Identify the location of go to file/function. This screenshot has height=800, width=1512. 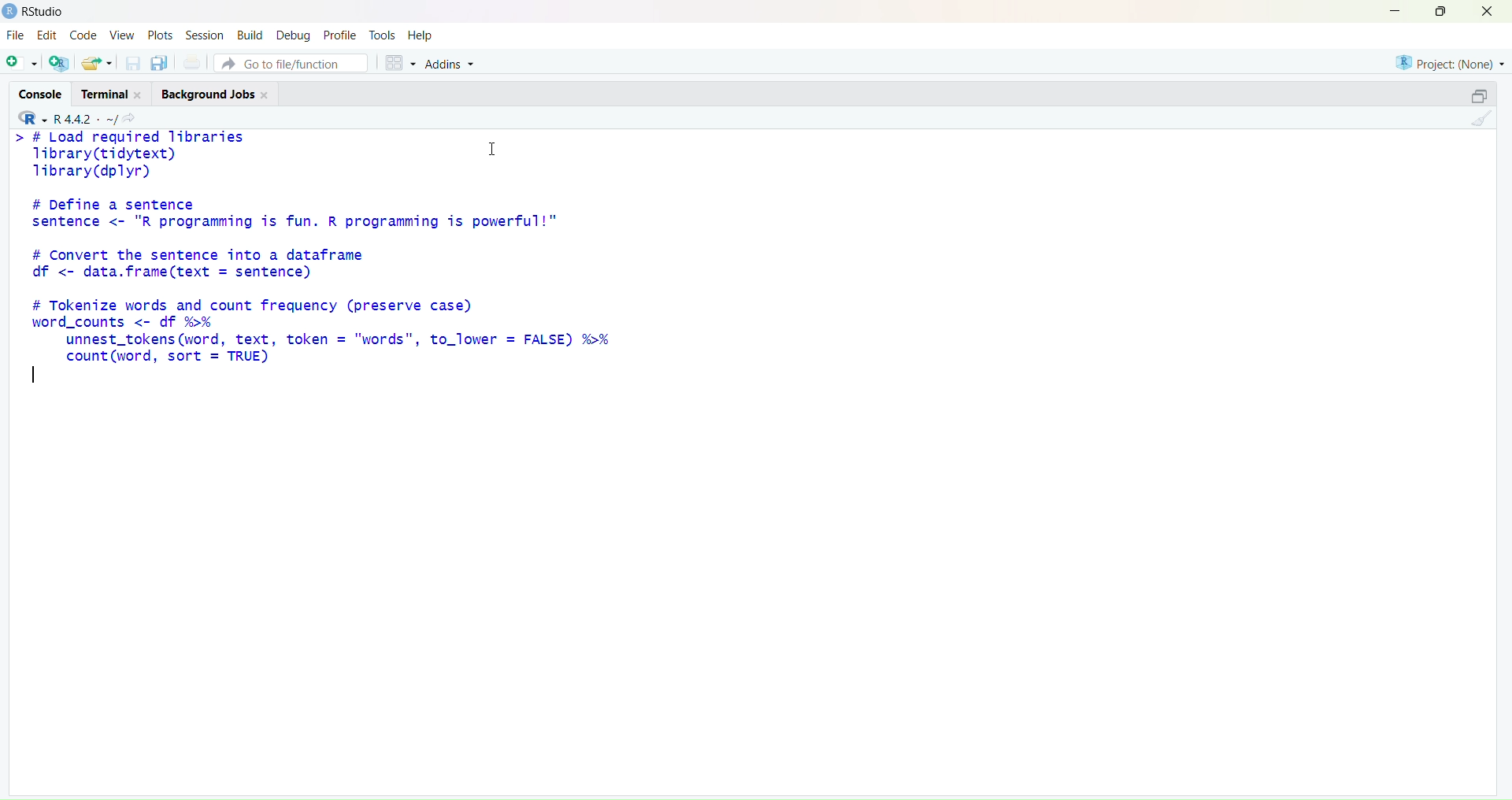
(291, 64).